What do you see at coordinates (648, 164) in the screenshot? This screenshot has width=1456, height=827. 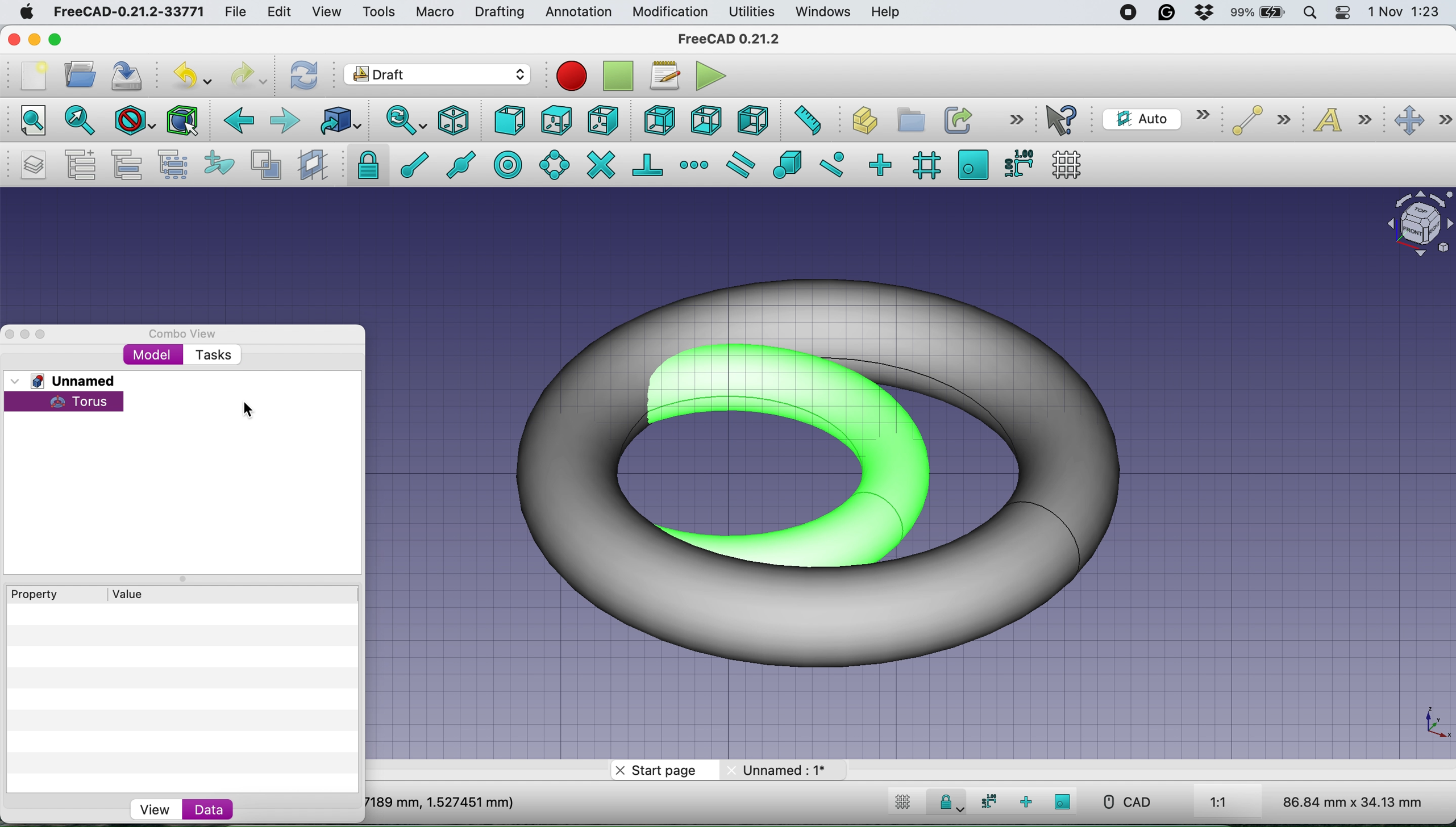 I see `snap perpendicular` at bounding box center [648, 164].